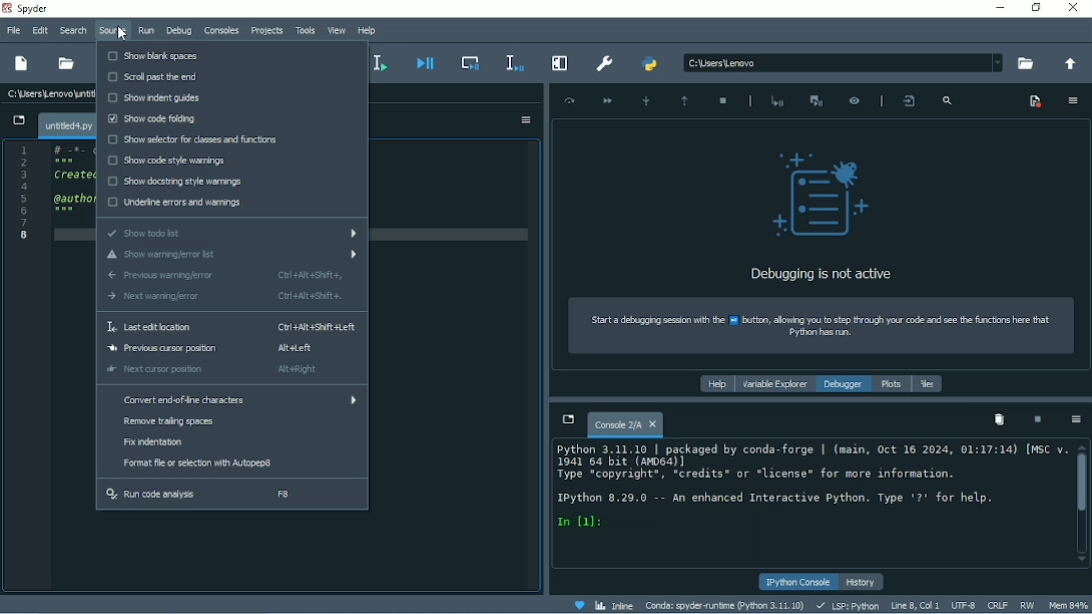 This screenshot has width=1092, height=614. Describe the element at coordinates (239, 464) in the screenshot. I see `Format file or selection with Autopep 8` at that location.